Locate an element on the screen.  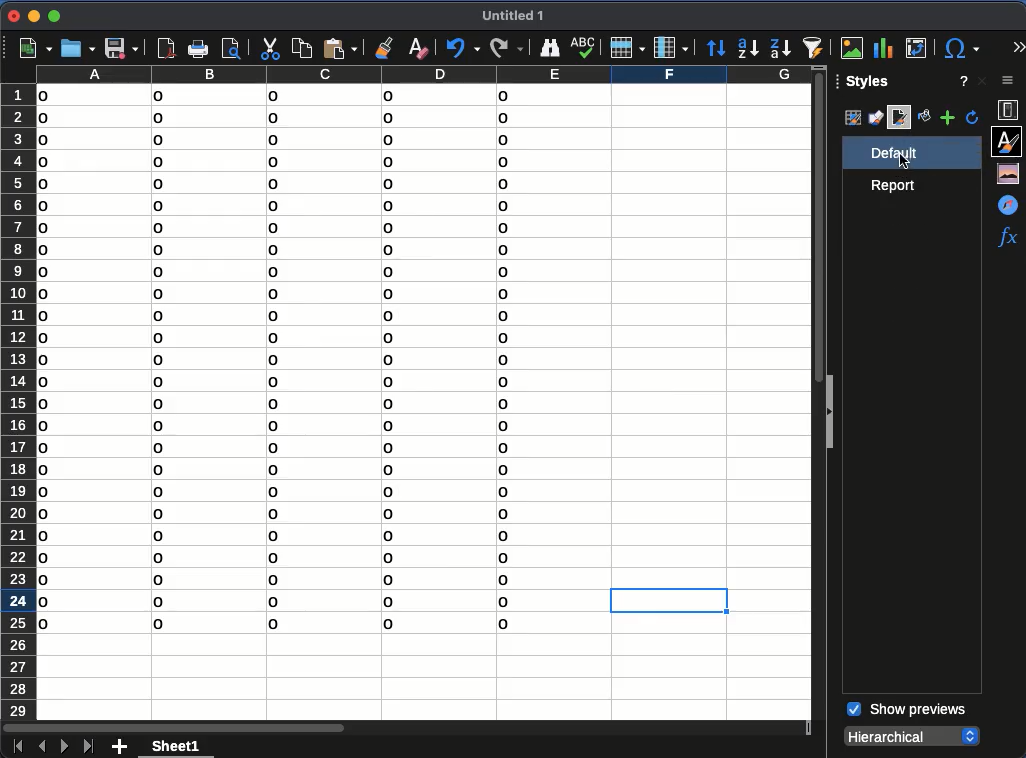
clone formatting is located at coordinates (384, 47).